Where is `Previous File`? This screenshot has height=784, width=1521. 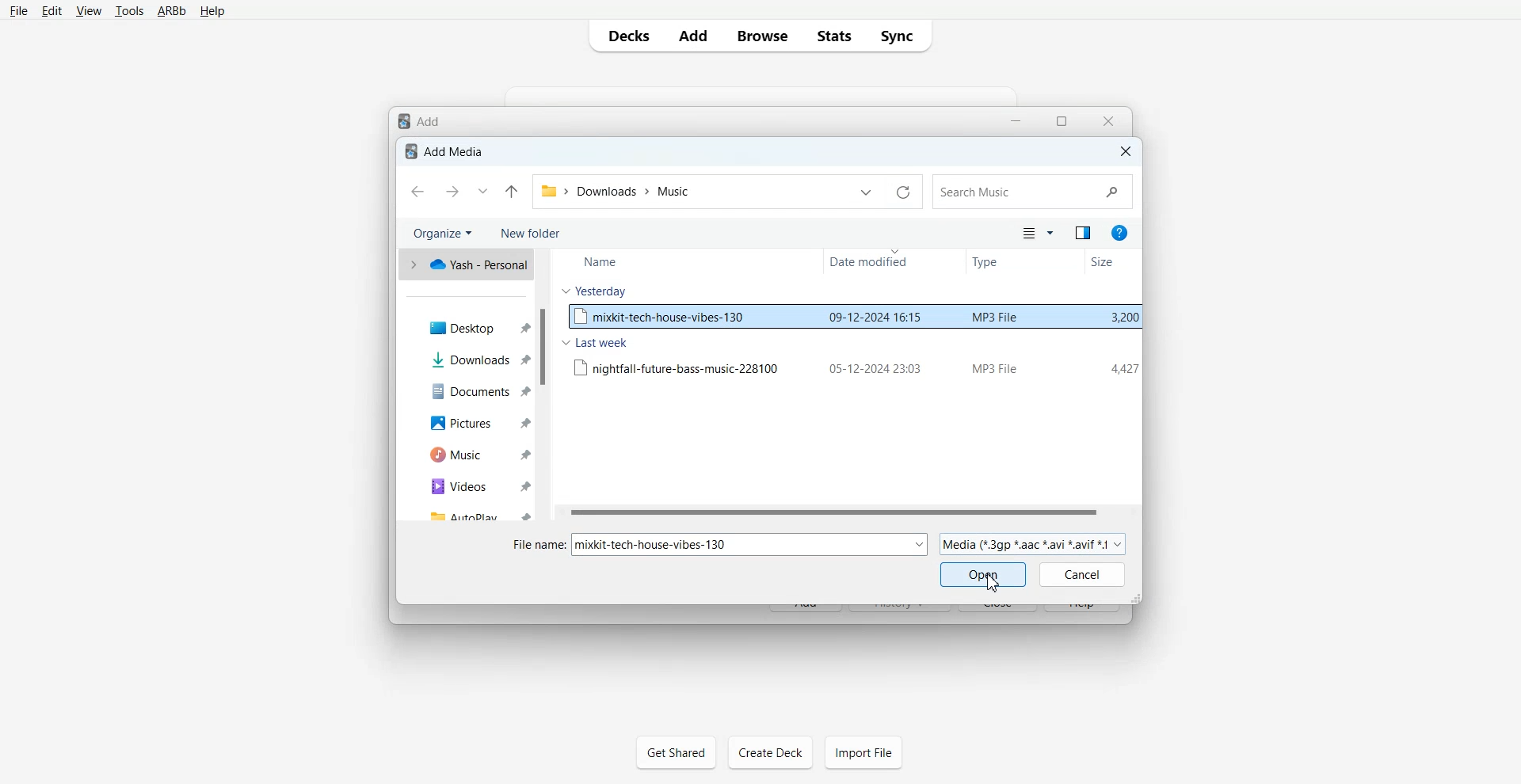
Previous File is located at coordinates (867, 192).